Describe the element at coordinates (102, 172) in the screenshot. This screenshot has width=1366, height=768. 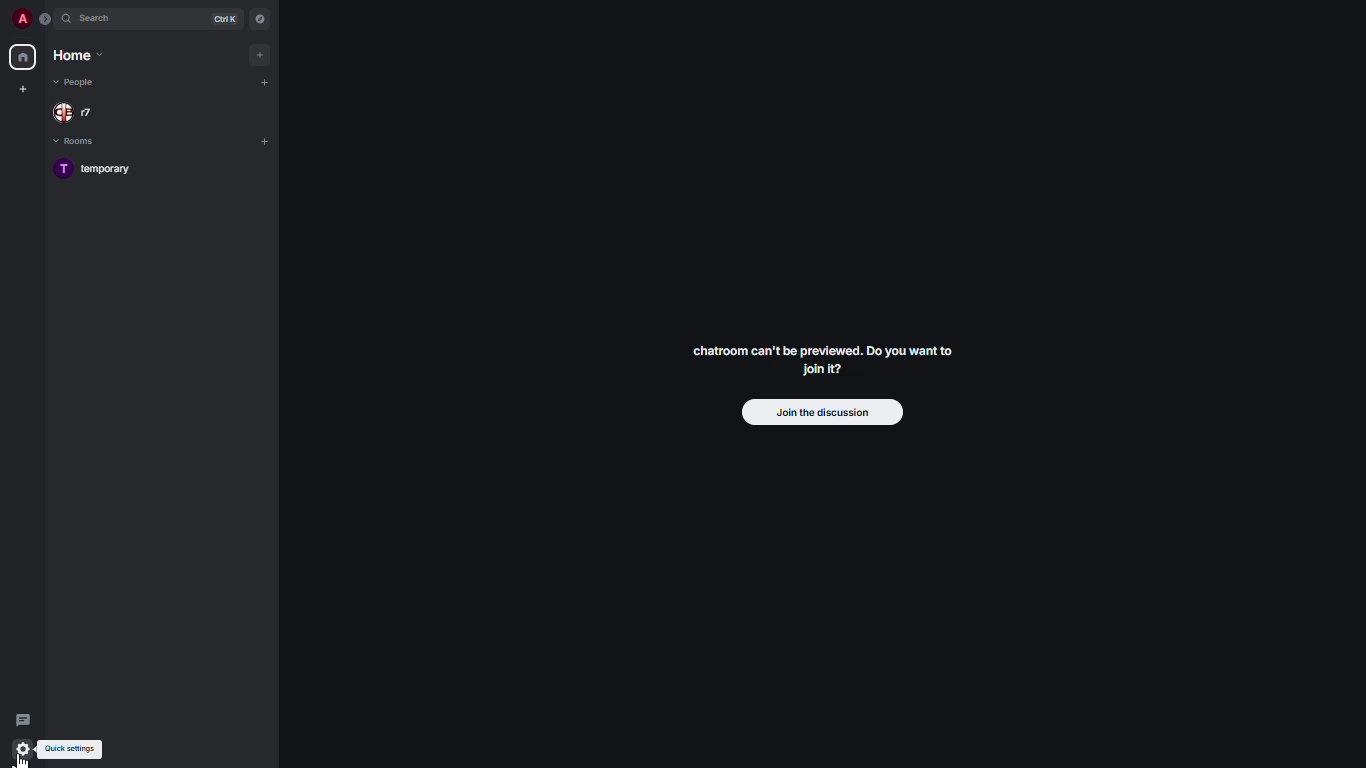
I see `room` at that location.